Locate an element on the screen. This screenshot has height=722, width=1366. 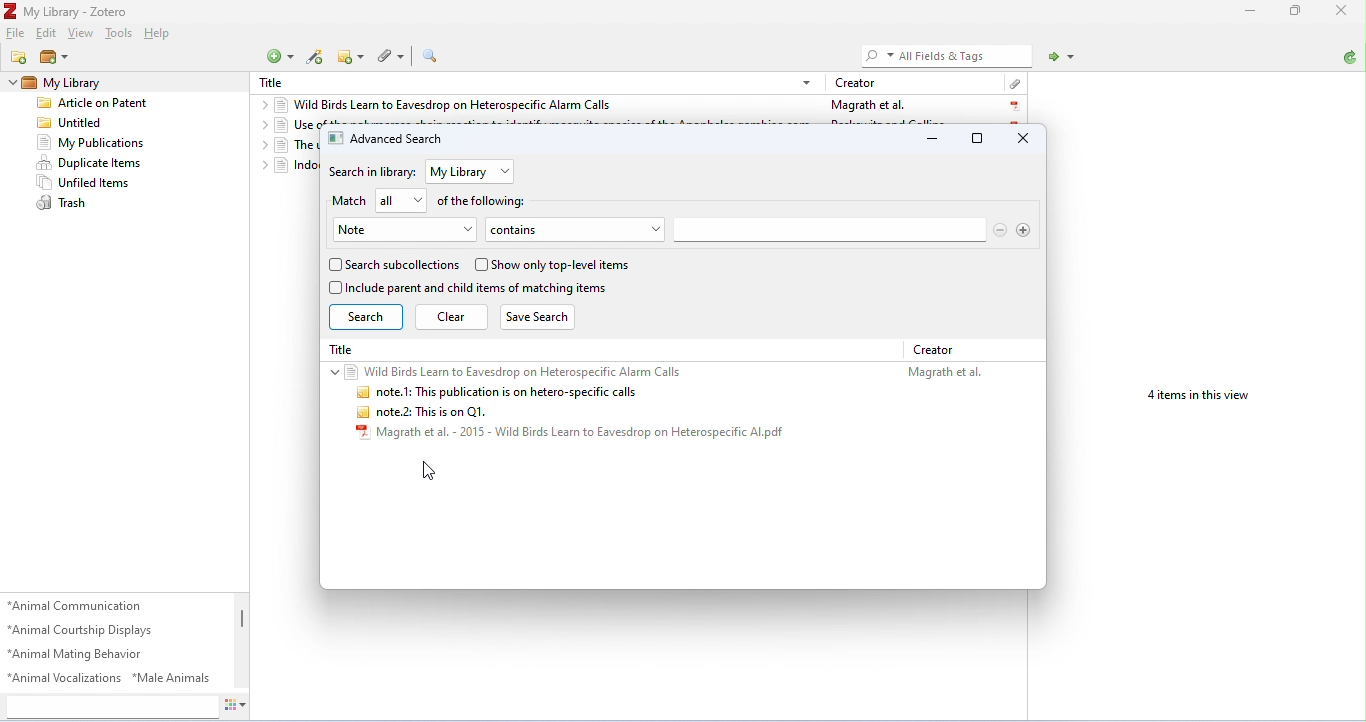
Wild Birds Learn to Eavesdrop on Heterospecific Alarm Calls is located at coordinates (520, 372).